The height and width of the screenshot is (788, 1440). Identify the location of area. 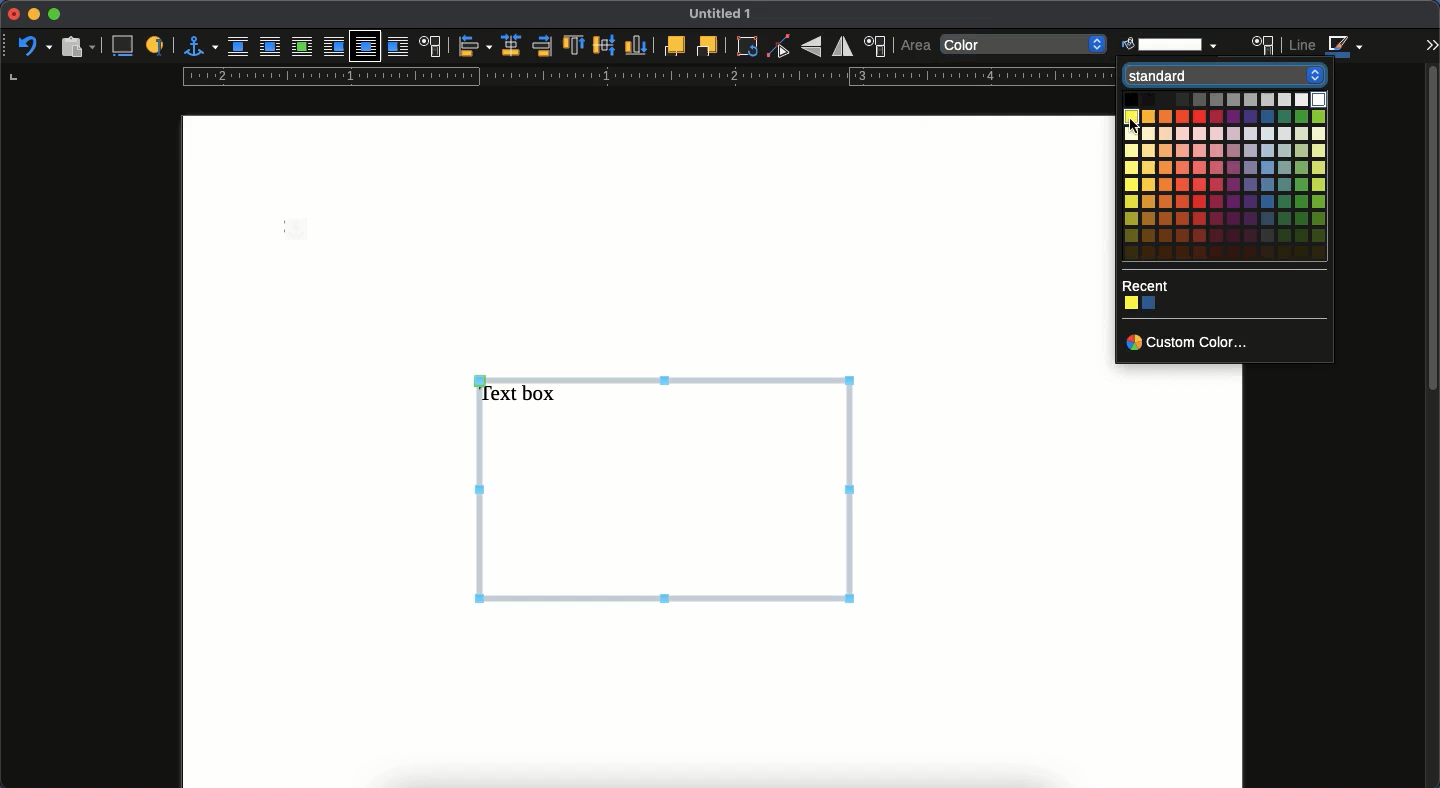
(916, 45).